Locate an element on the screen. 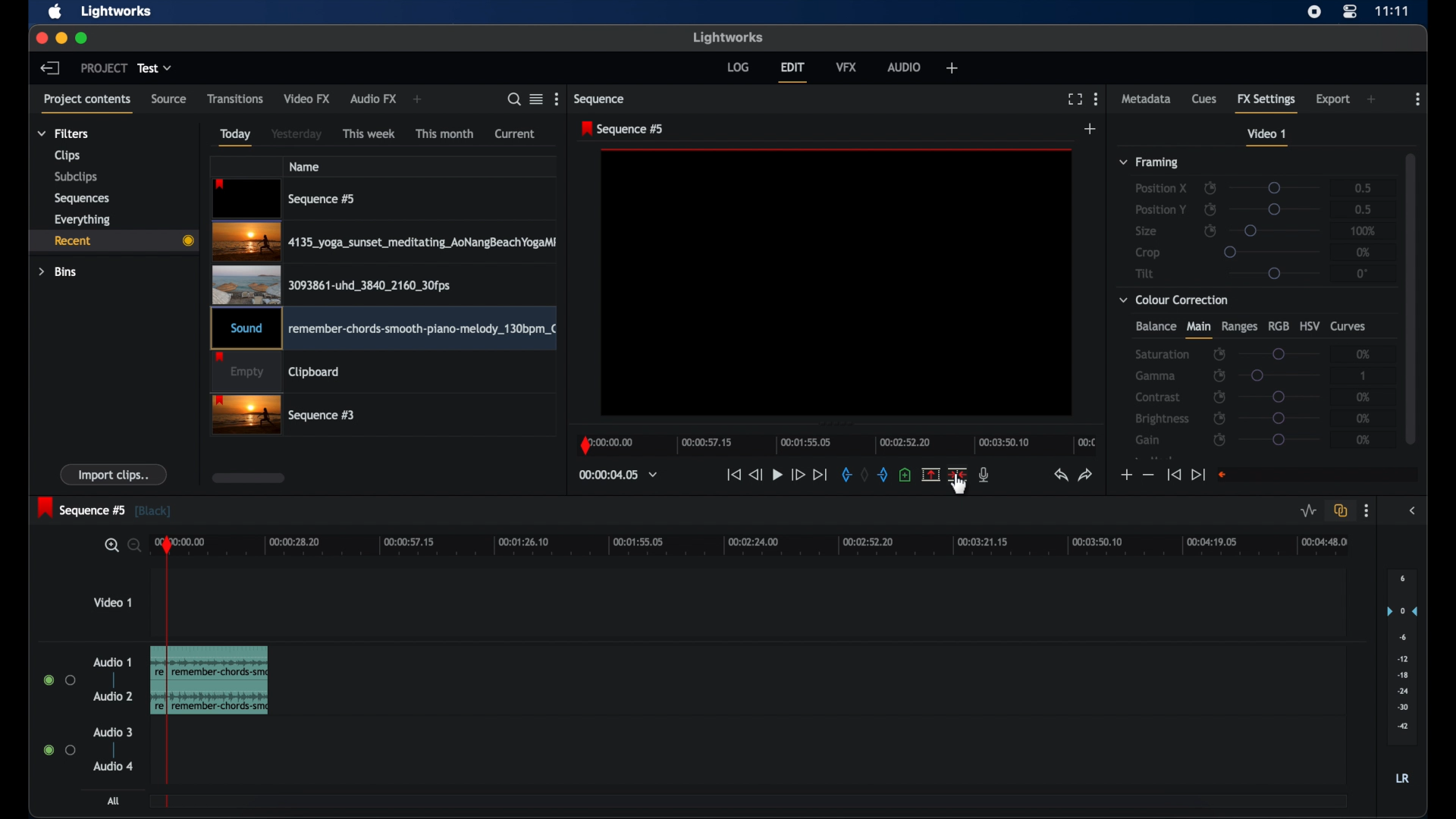 The width and height of the screenshot is (1456, 819). brightness is located at coordinates (1163, 419).